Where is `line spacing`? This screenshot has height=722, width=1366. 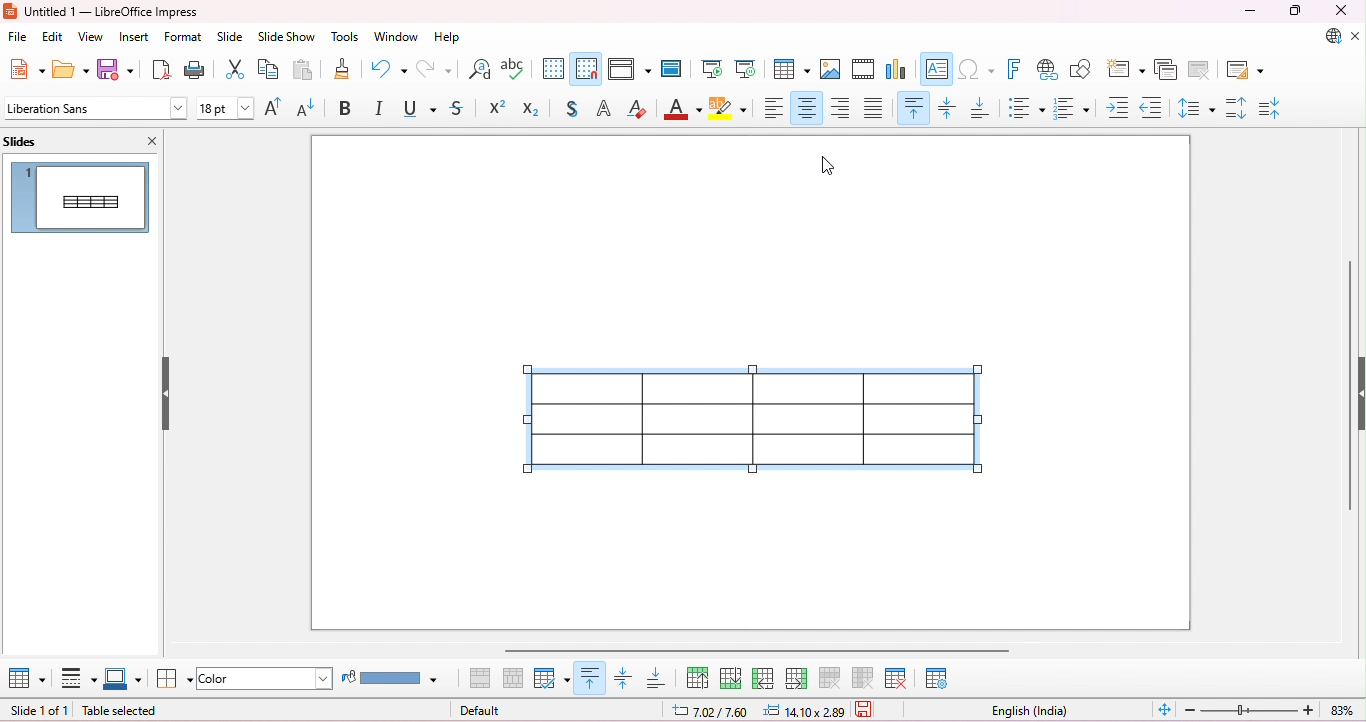 line spacing is located at coordinates (1197, 109).